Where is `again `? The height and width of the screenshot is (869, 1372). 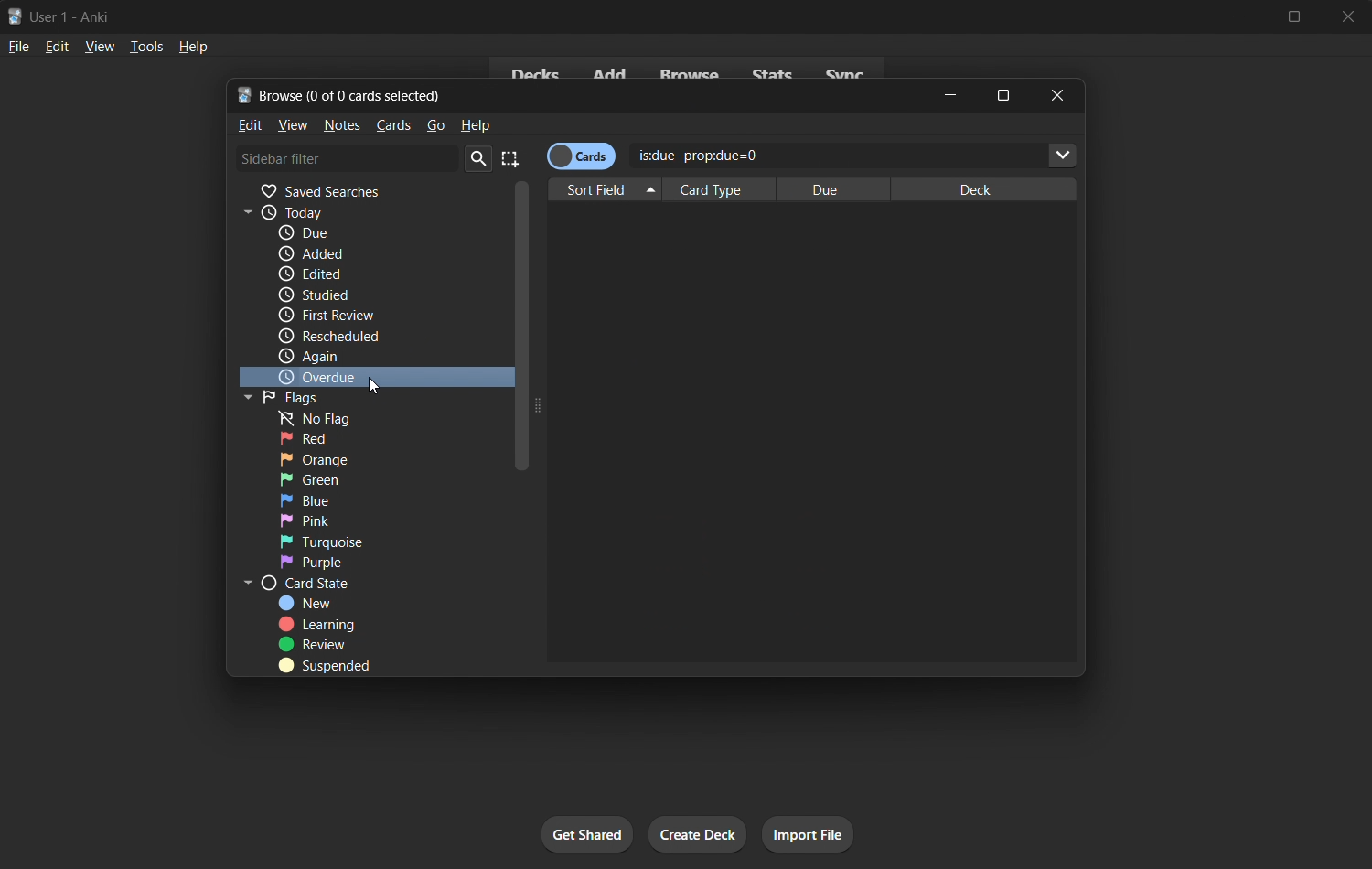 again  is located at coordinates (326, 357).